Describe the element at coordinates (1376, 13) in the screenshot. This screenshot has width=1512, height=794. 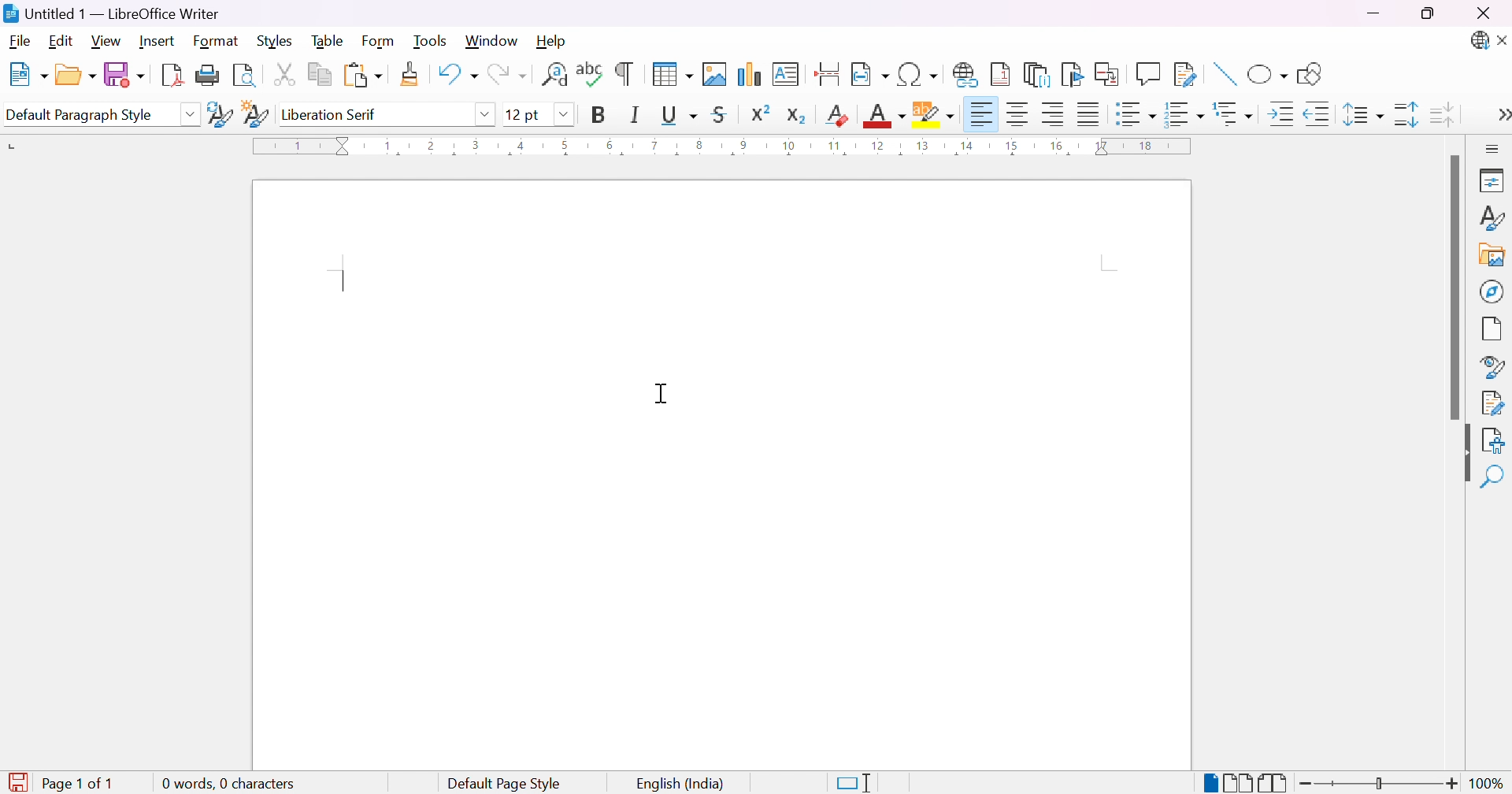
I see `Minimize` at that location.